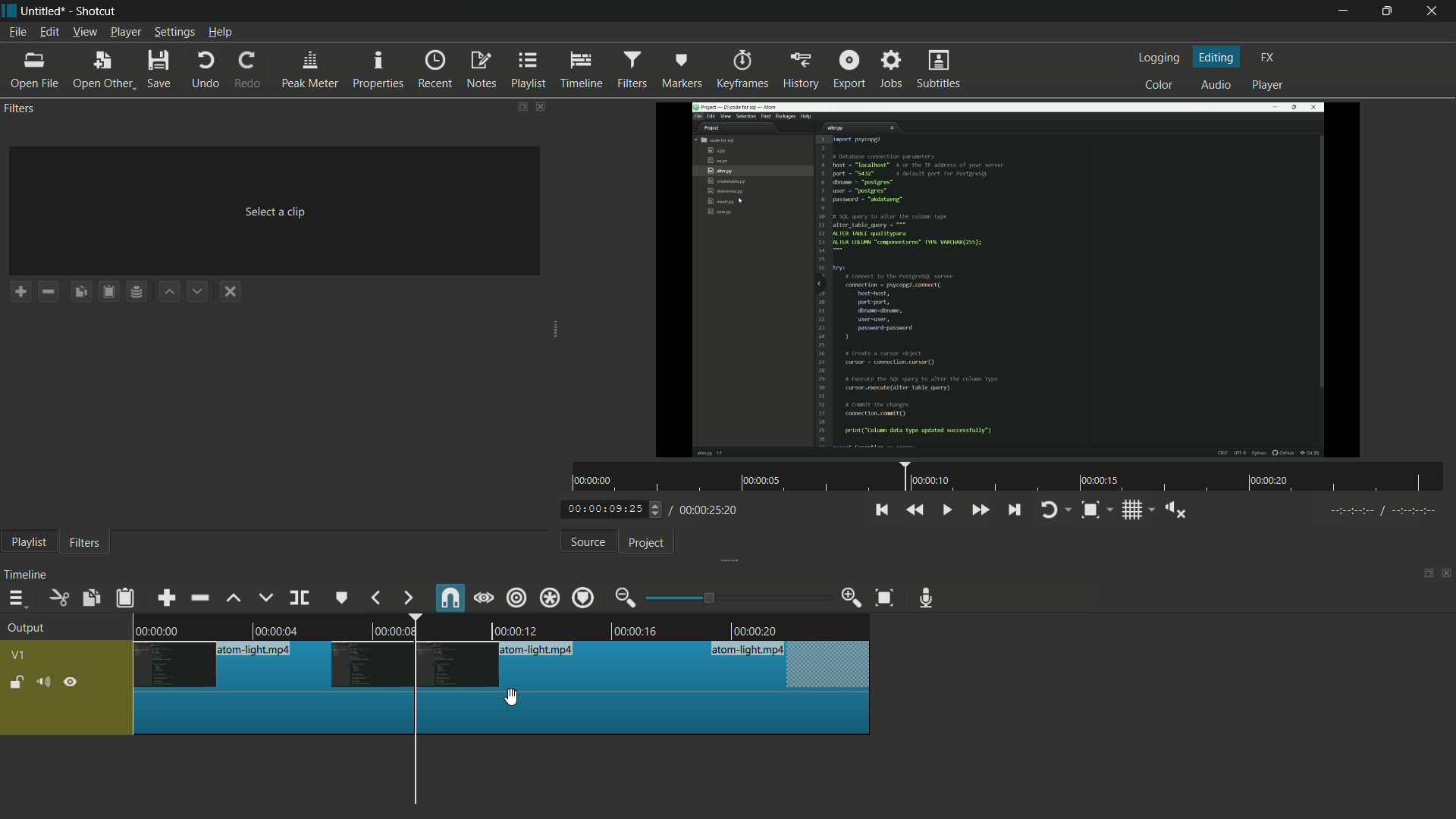 The image size is (1456, 819). I want to click on audio, so click(1217, 84).